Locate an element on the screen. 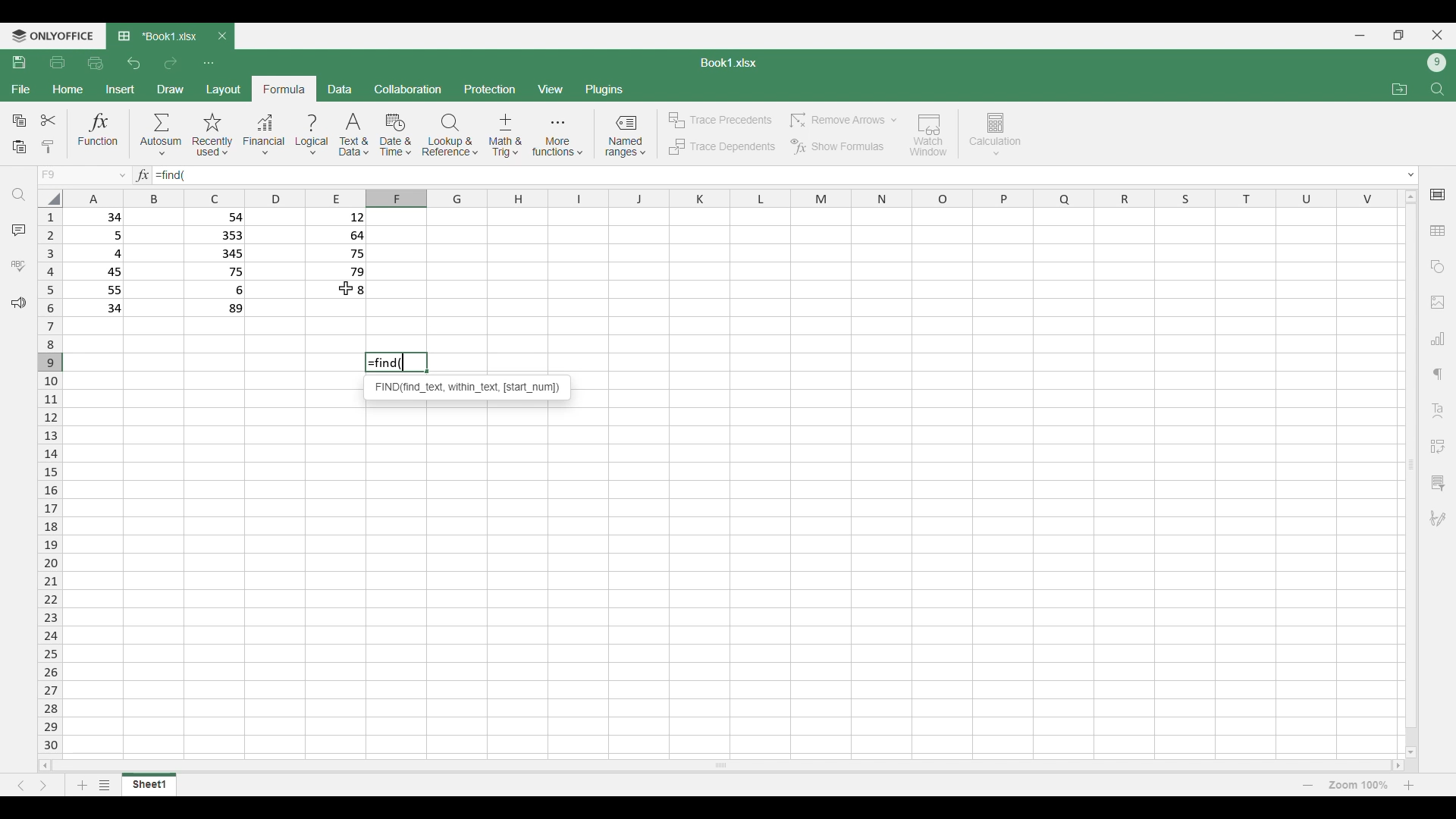 This screenshot has height=819, width=1456. Cut is located at coordinates (49, 120).